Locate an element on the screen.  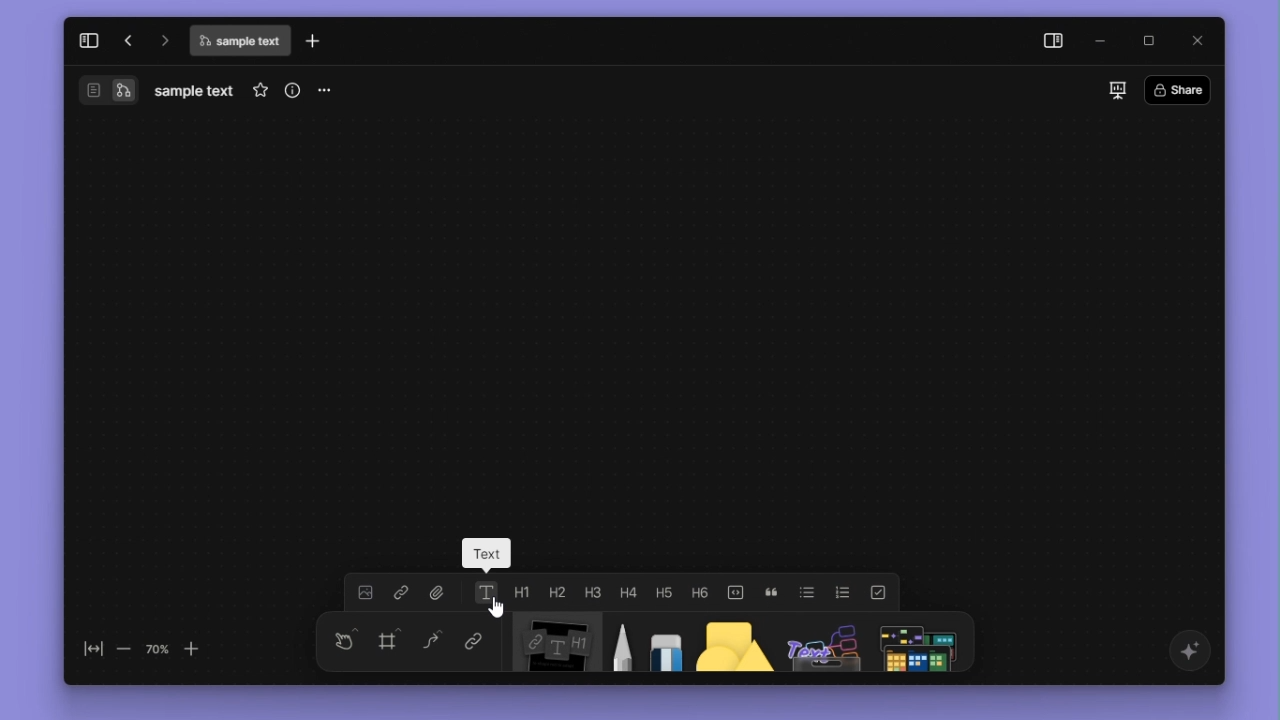
file is located at coordinates (437, 592).